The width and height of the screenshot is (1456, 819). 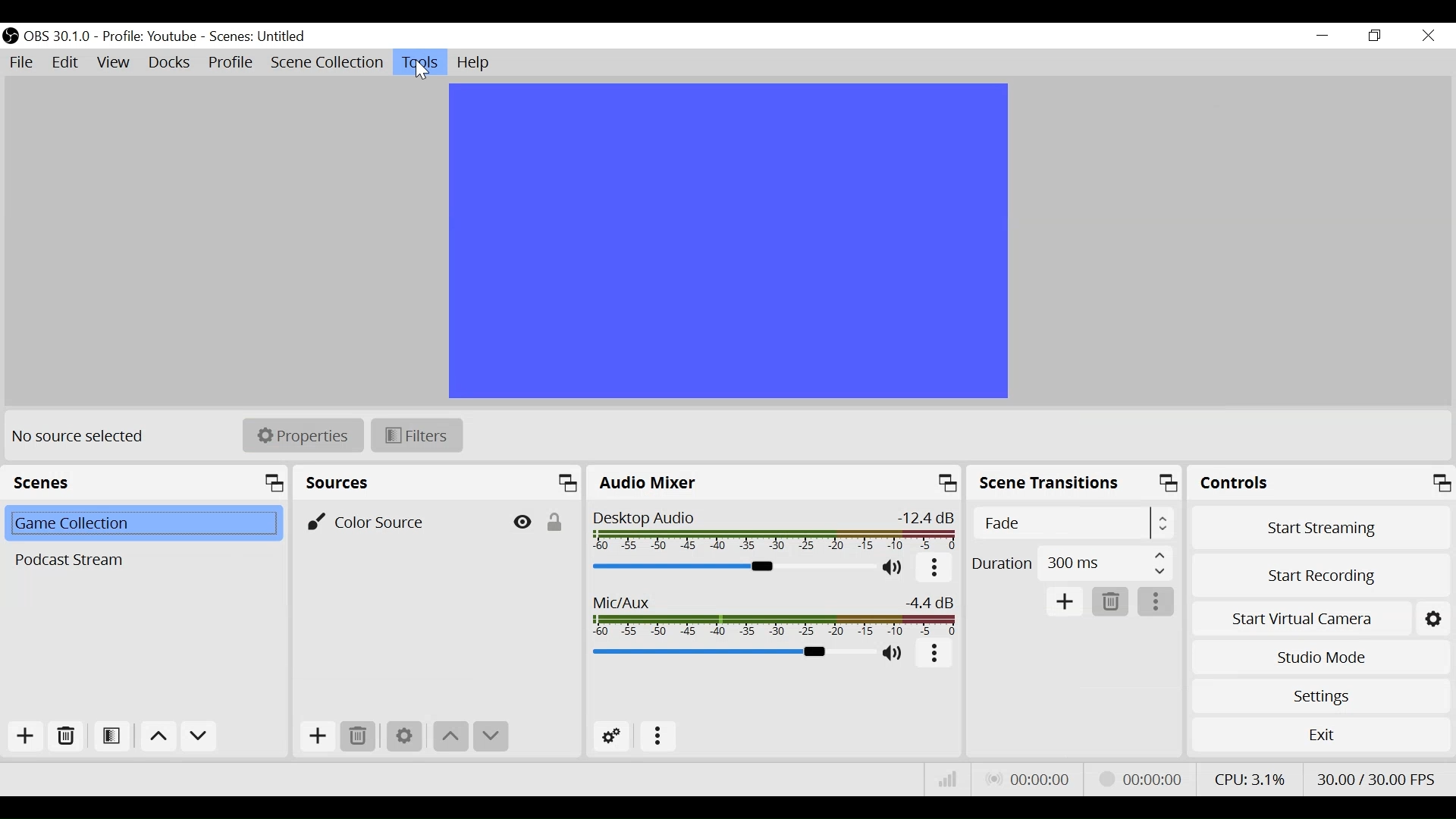 I want to click on (un)mute, so click(x=894, y=653).